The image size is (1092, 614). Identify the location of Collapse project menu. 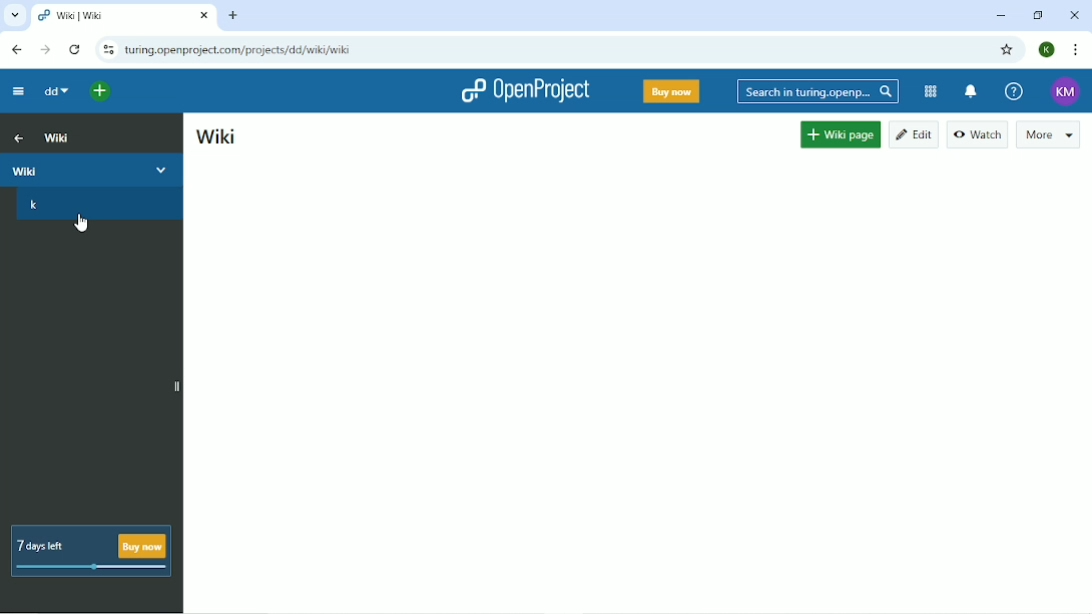
(18, 91).